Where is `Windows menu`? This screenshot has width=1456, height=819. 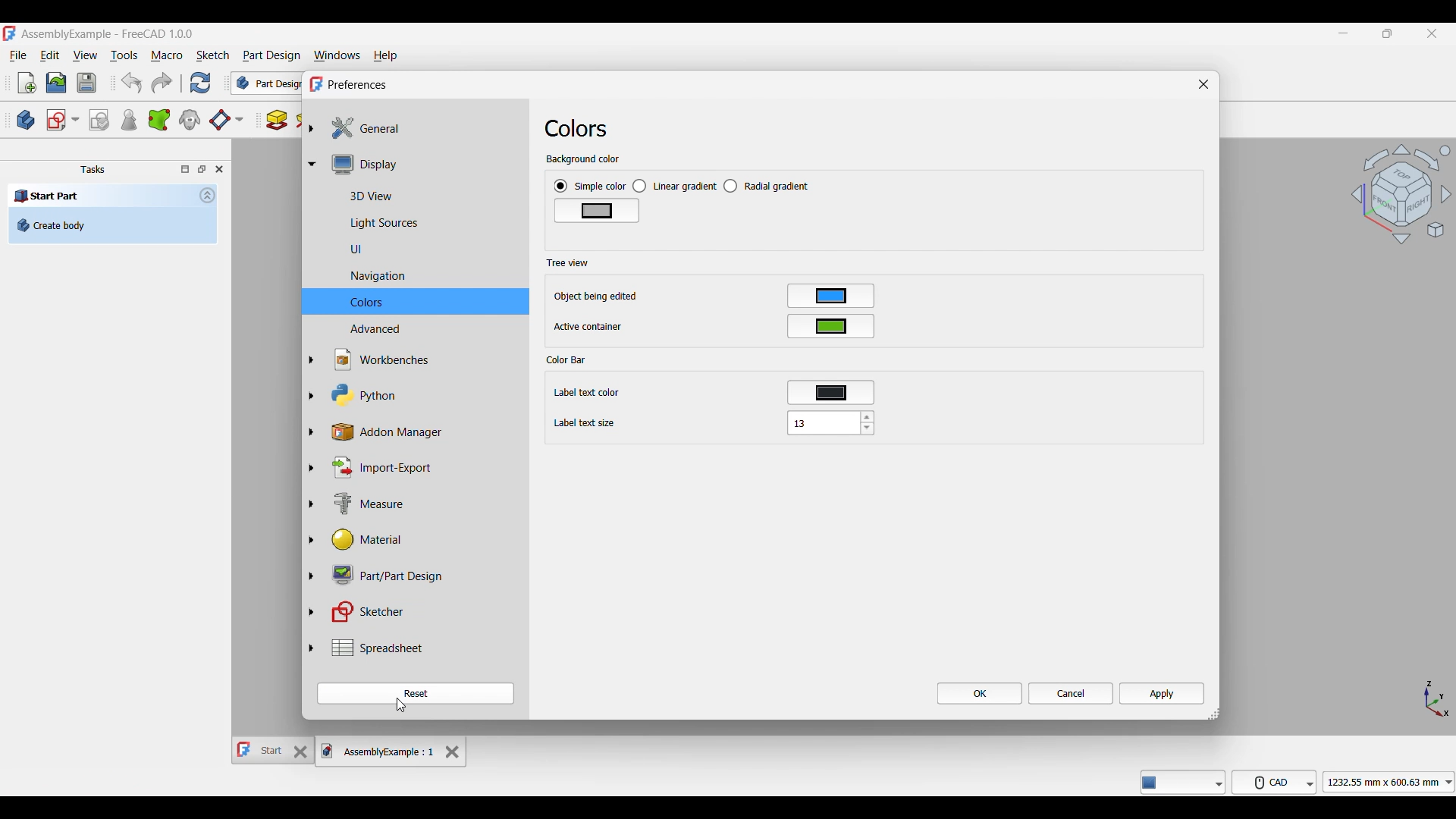
Windows menu is located at coordinates (337, 56).